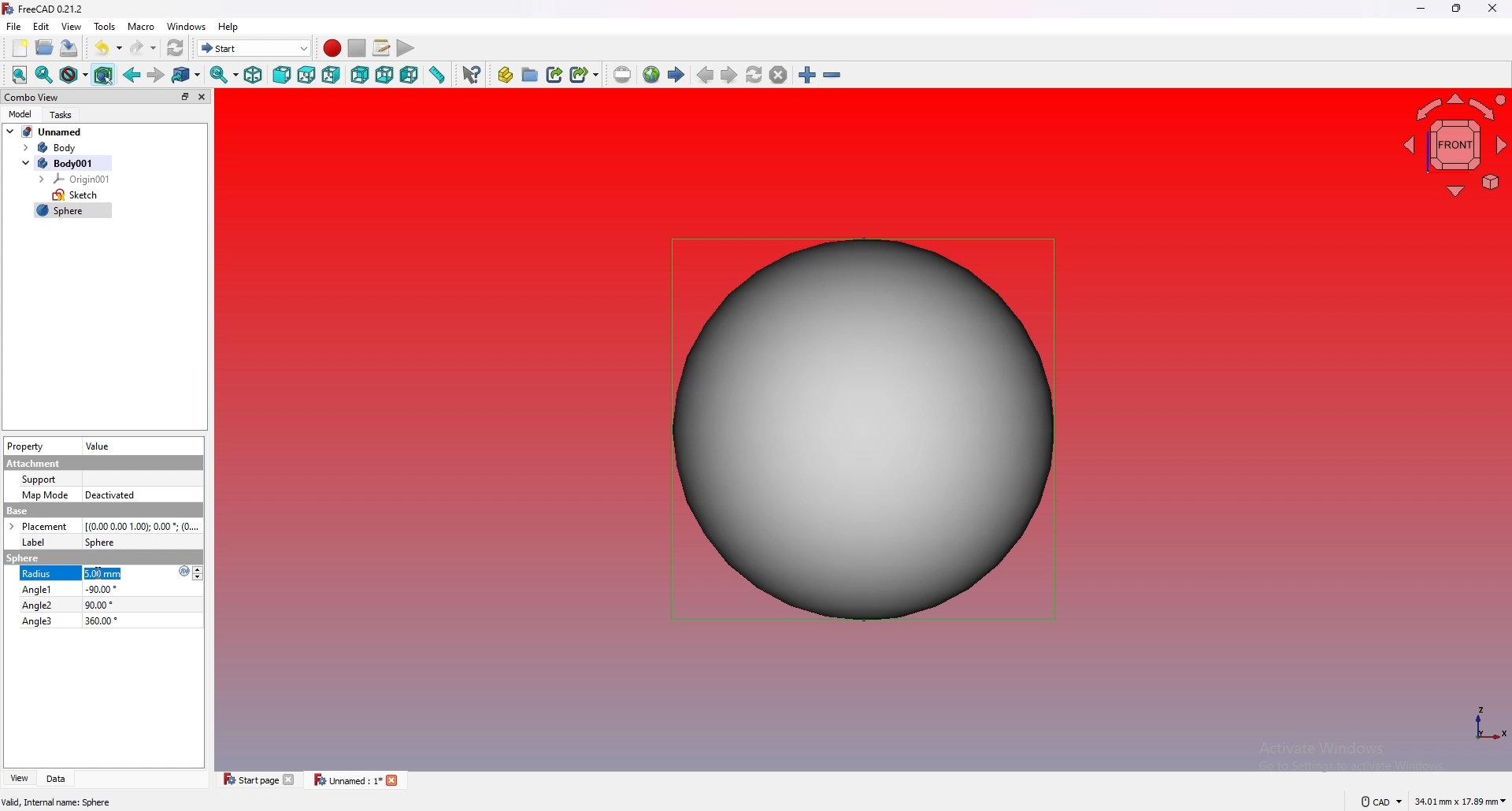  What do you see at coordinates (69, 48) in the screenshot?
I see `save` at bounding box center [69, 48].